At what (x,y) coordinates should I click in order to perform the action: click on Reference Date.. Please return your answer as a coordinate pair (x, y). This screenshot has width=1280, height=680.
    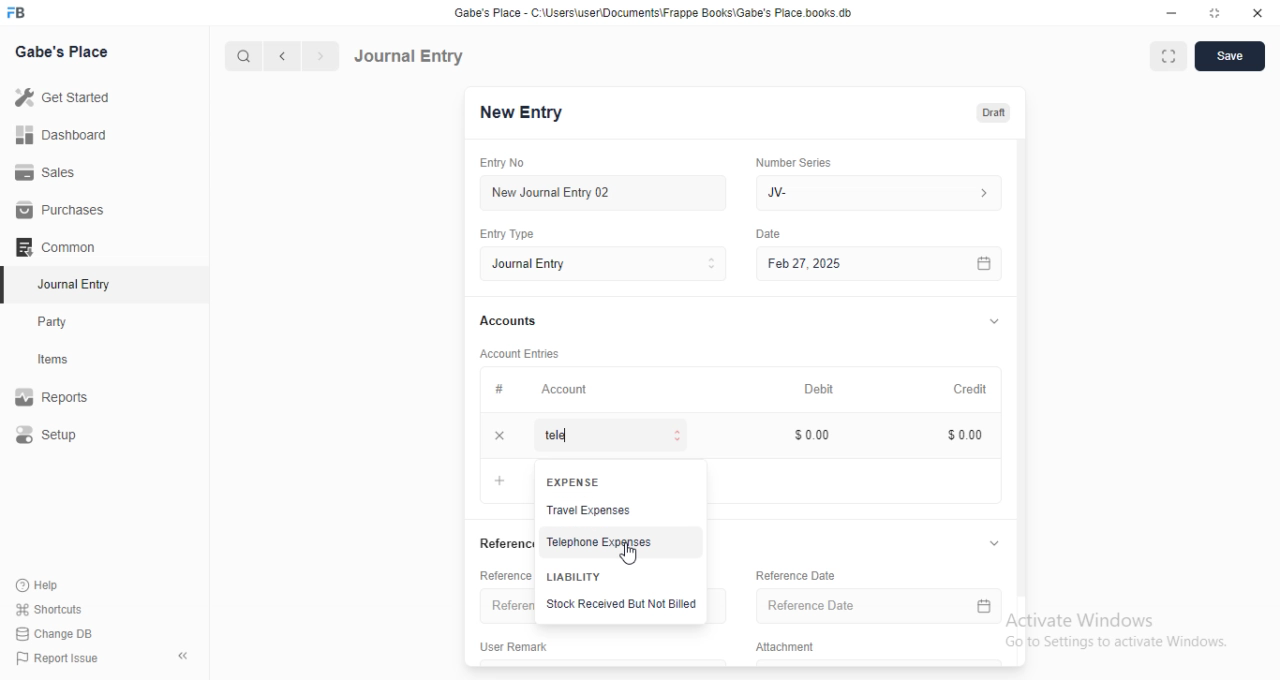
    Looking at the image, I should click on (865, 608).